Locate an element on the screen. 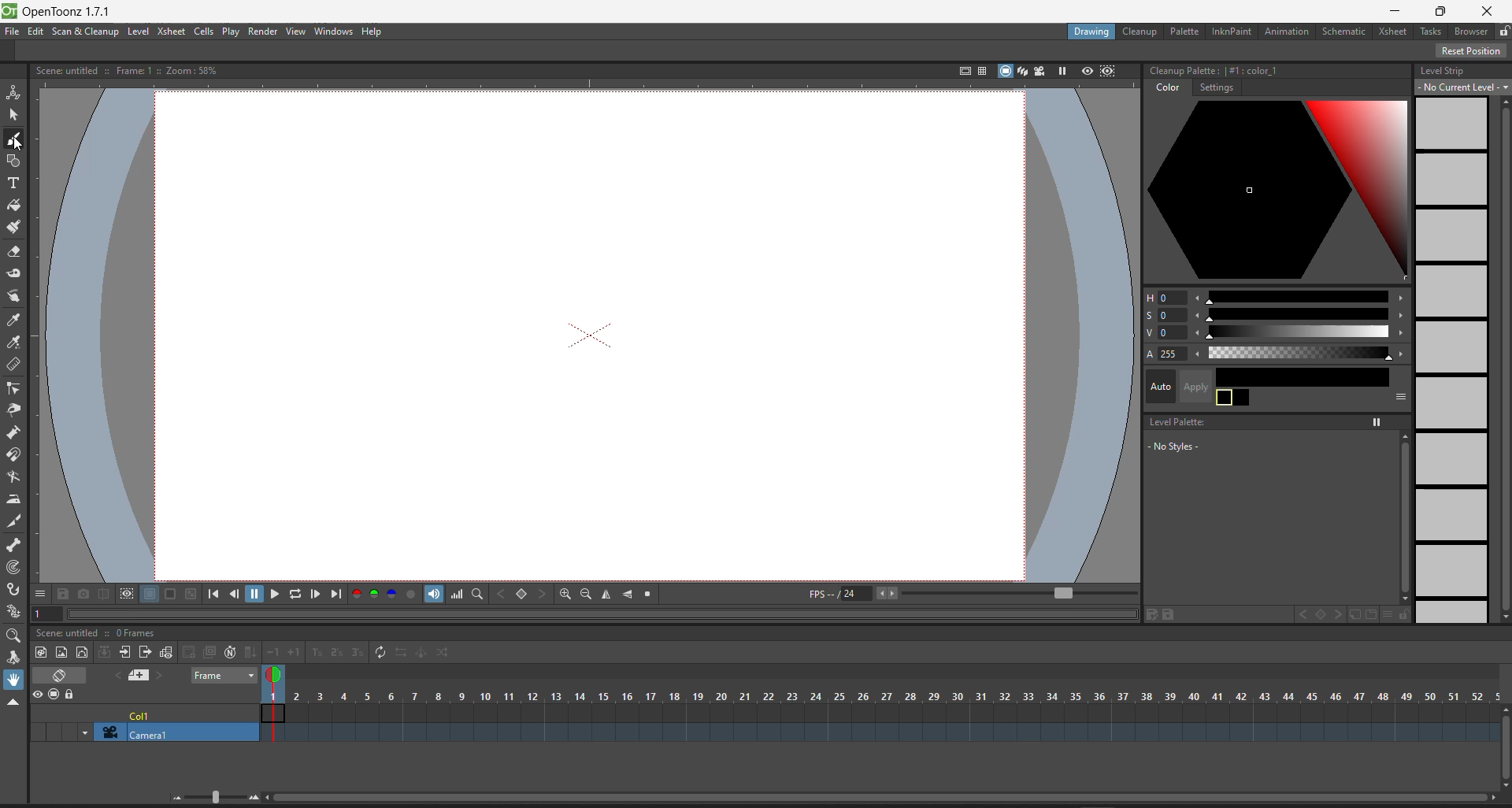 Image resolution: width=1512 pixels, height=808 pixels. pump tool is located at coordinates (13, 433).